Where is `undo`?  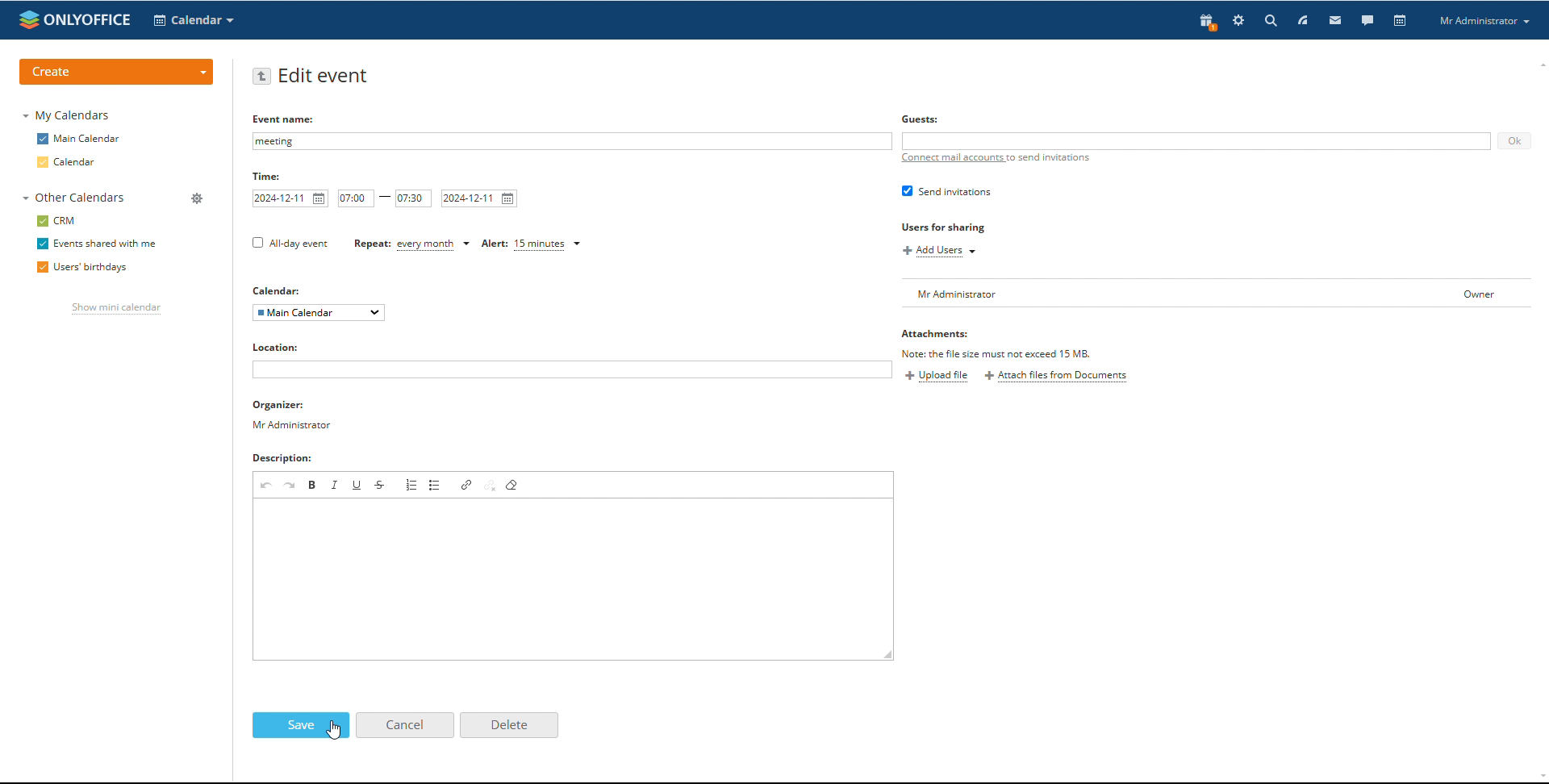 undo is located at coordinates (267, 485).